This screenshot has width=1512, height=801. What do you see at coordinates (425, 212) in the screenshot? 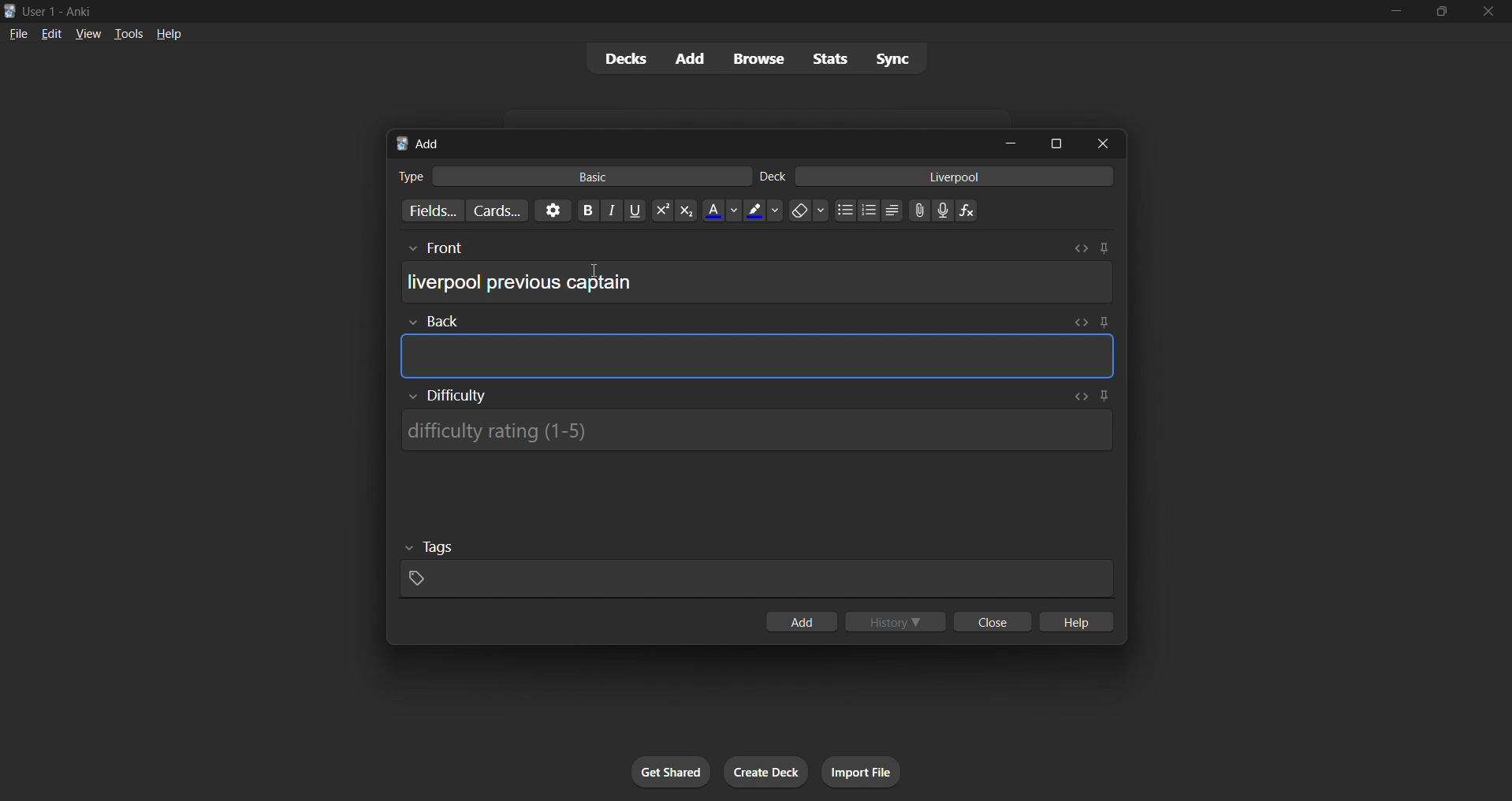
I see `customize fields` at bounding box center [425, 212].